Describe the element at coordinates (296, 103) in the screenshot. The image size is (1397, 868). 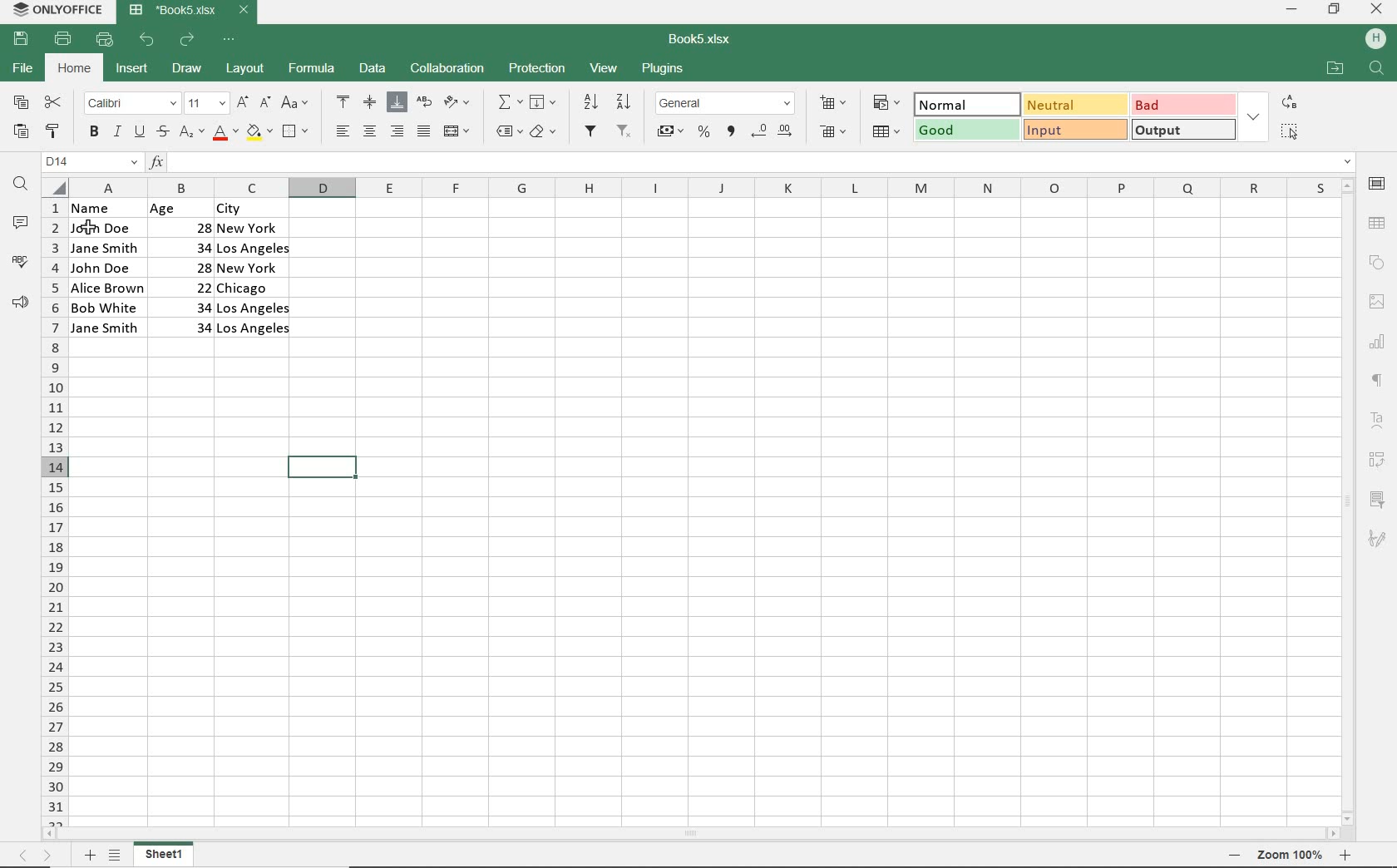
I see `CHANGE CASE` at that location.